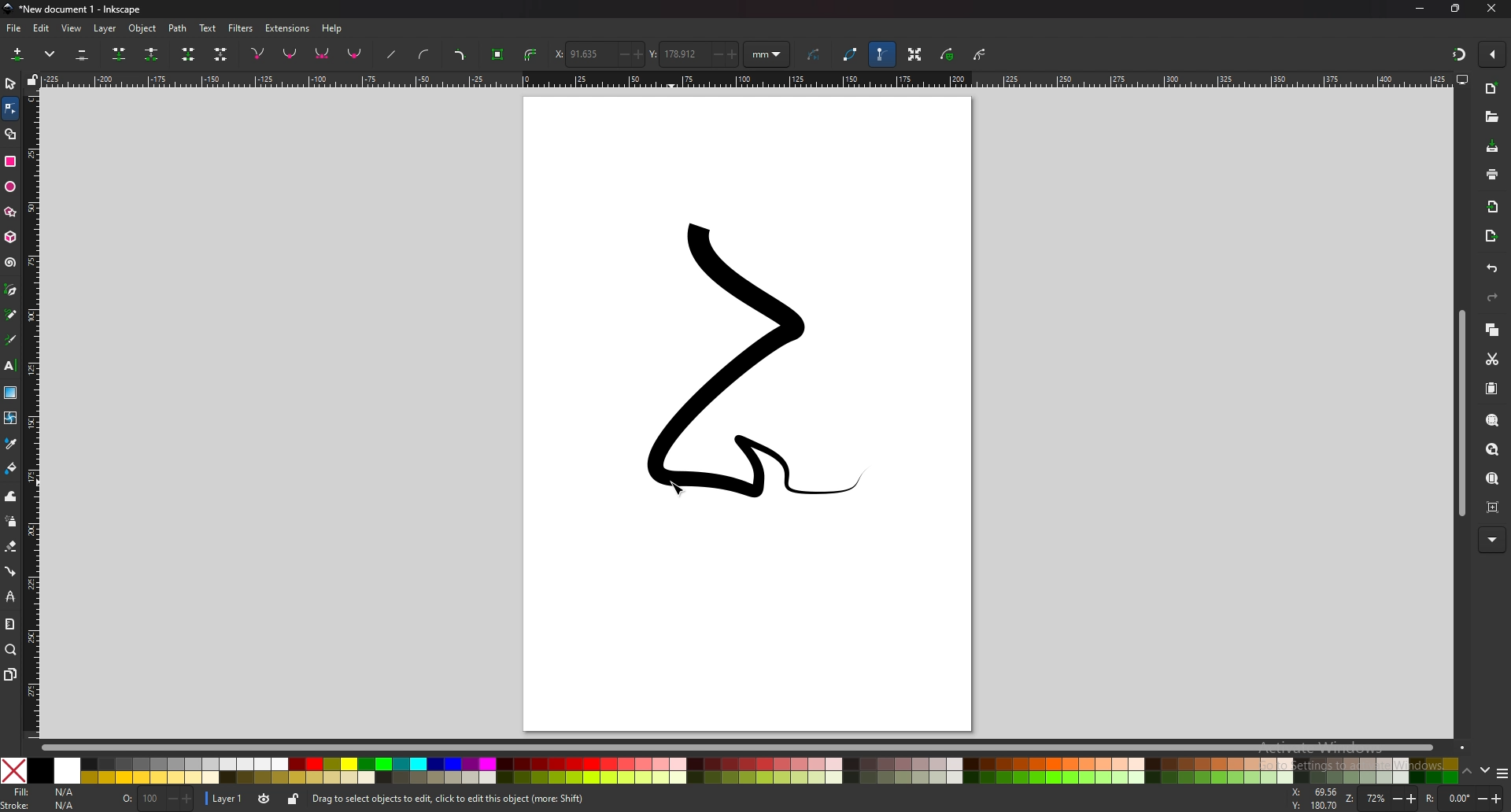 The height and width of the screenshot is (812, 1511). What do you see at coordinates (207, 28) in the screenshot?
I see `text` at bounding box center [207, 28].